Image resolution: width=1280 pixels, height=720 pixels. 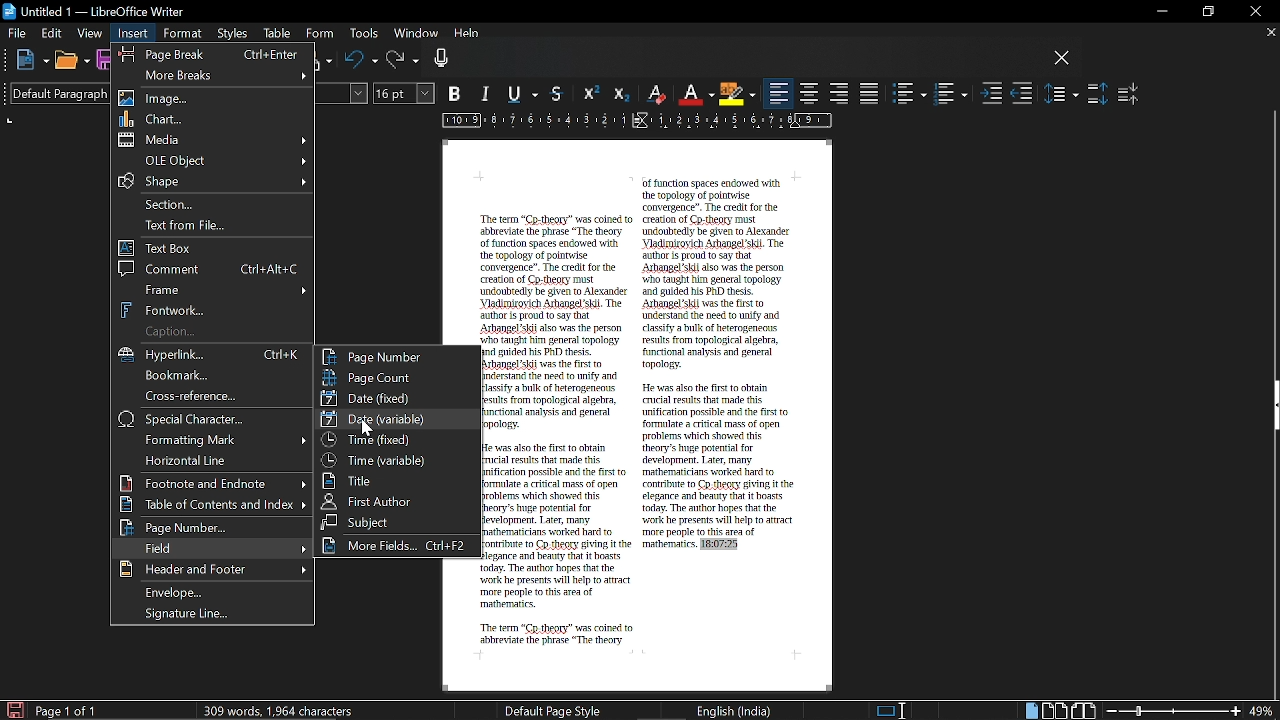 I want to click on toggle unordered list, so click(x=910, y=94).